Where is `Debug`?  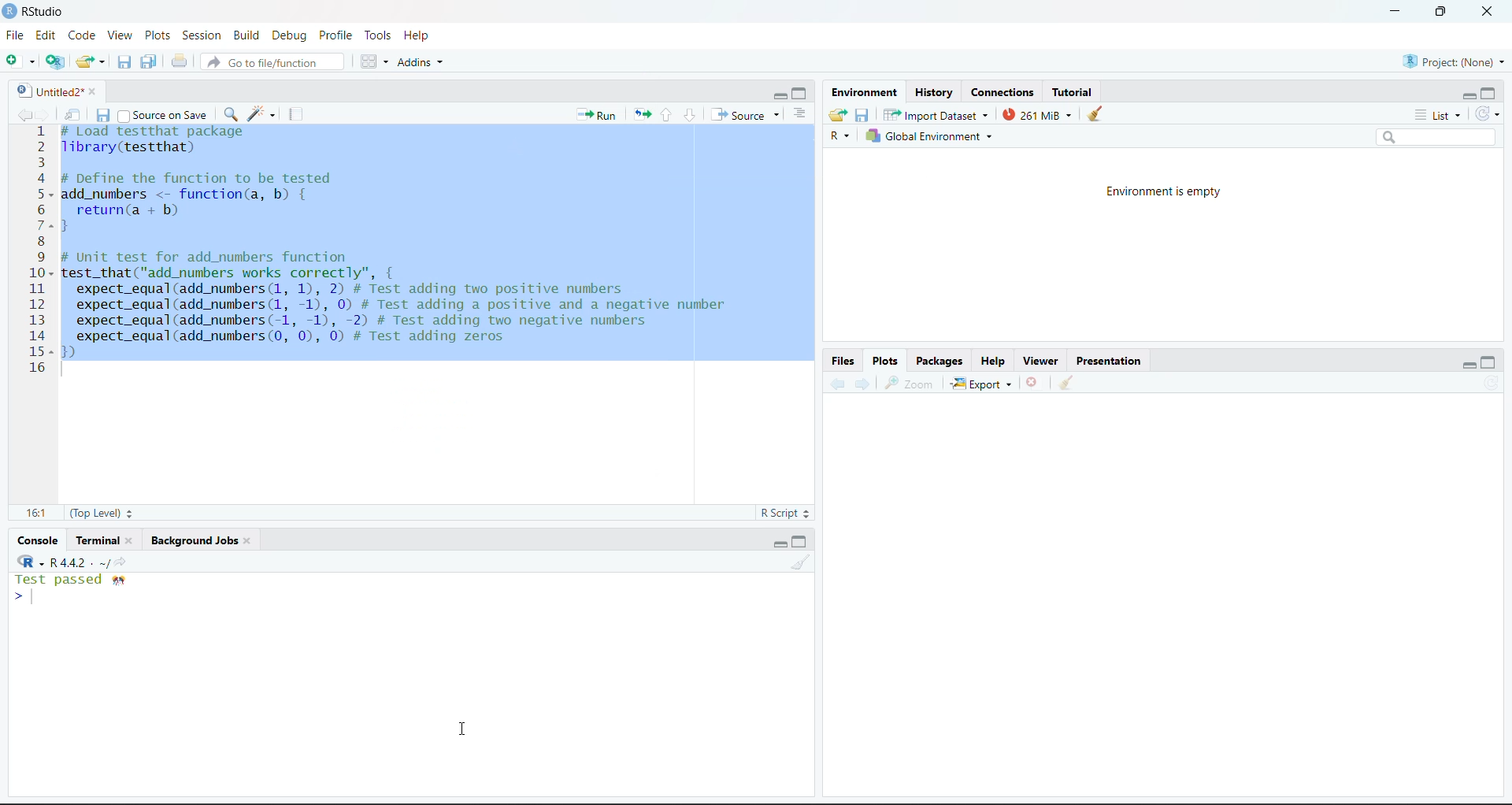
Debug is located at coordinates (289, 36).